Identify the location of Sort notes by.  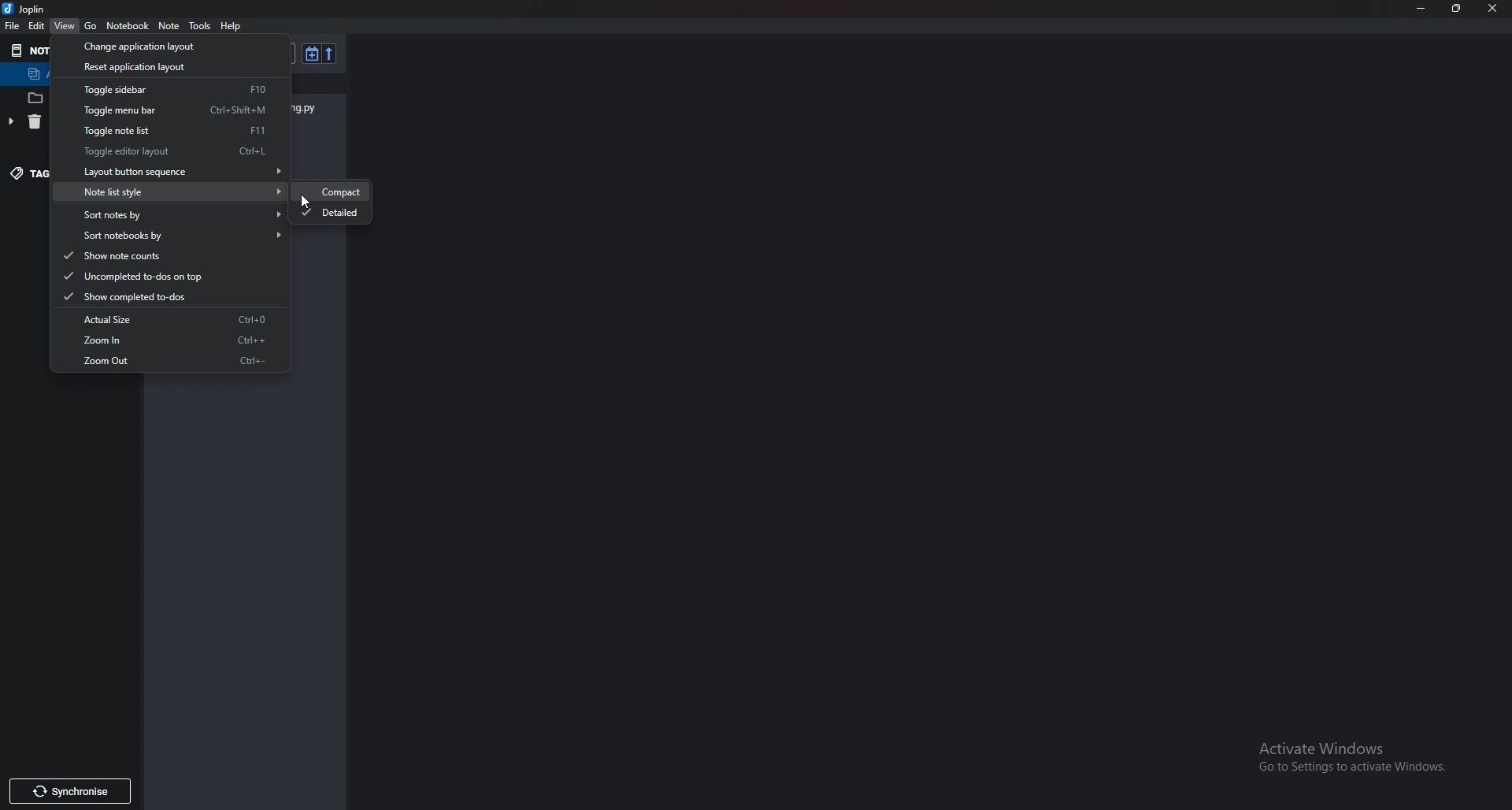
(176, 214).